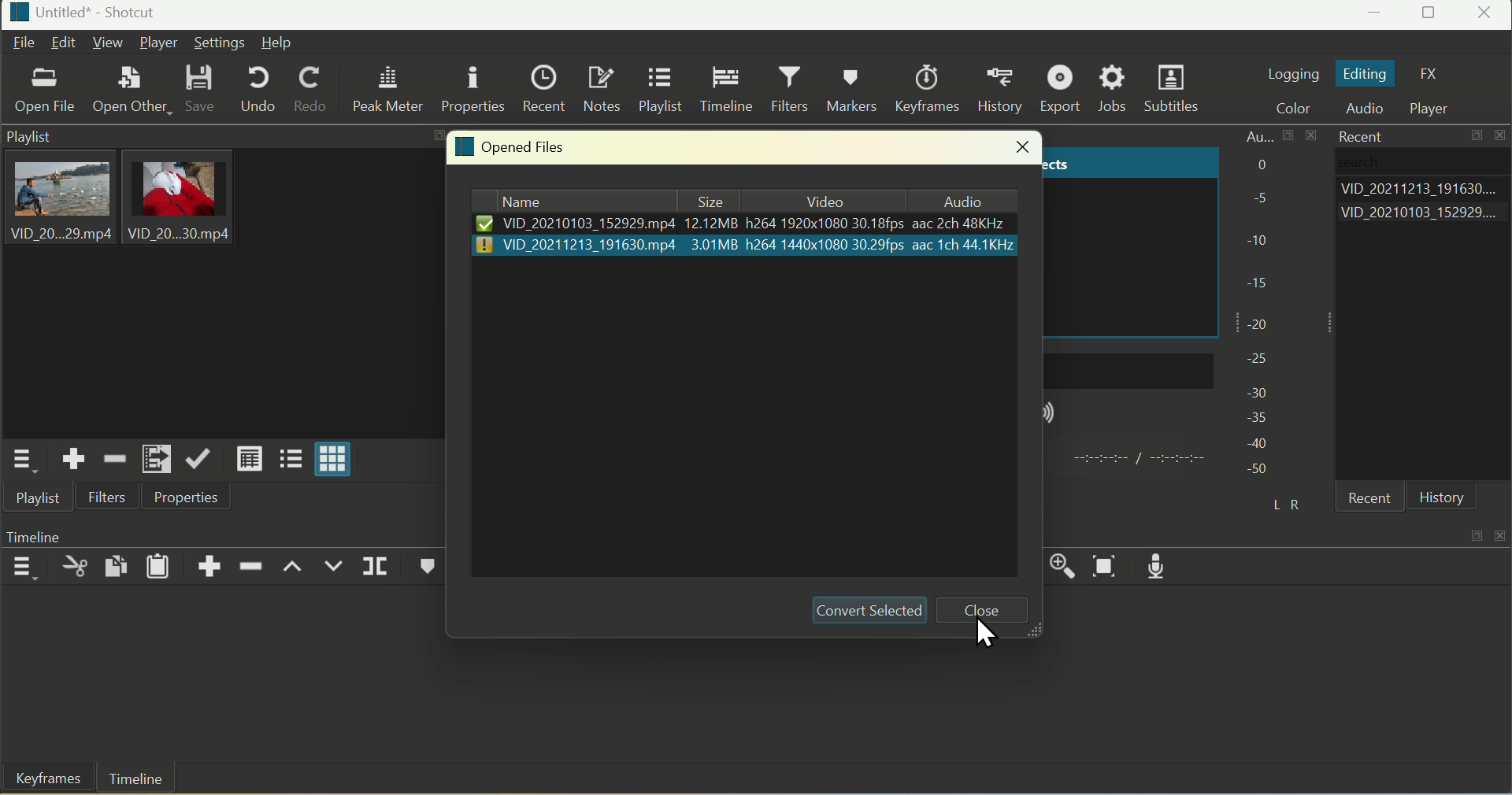 The image size is (1512, 795). What do you see at coordinates (819, 201) in the screenshot?
I see `video` at bounding box center [819, 201].